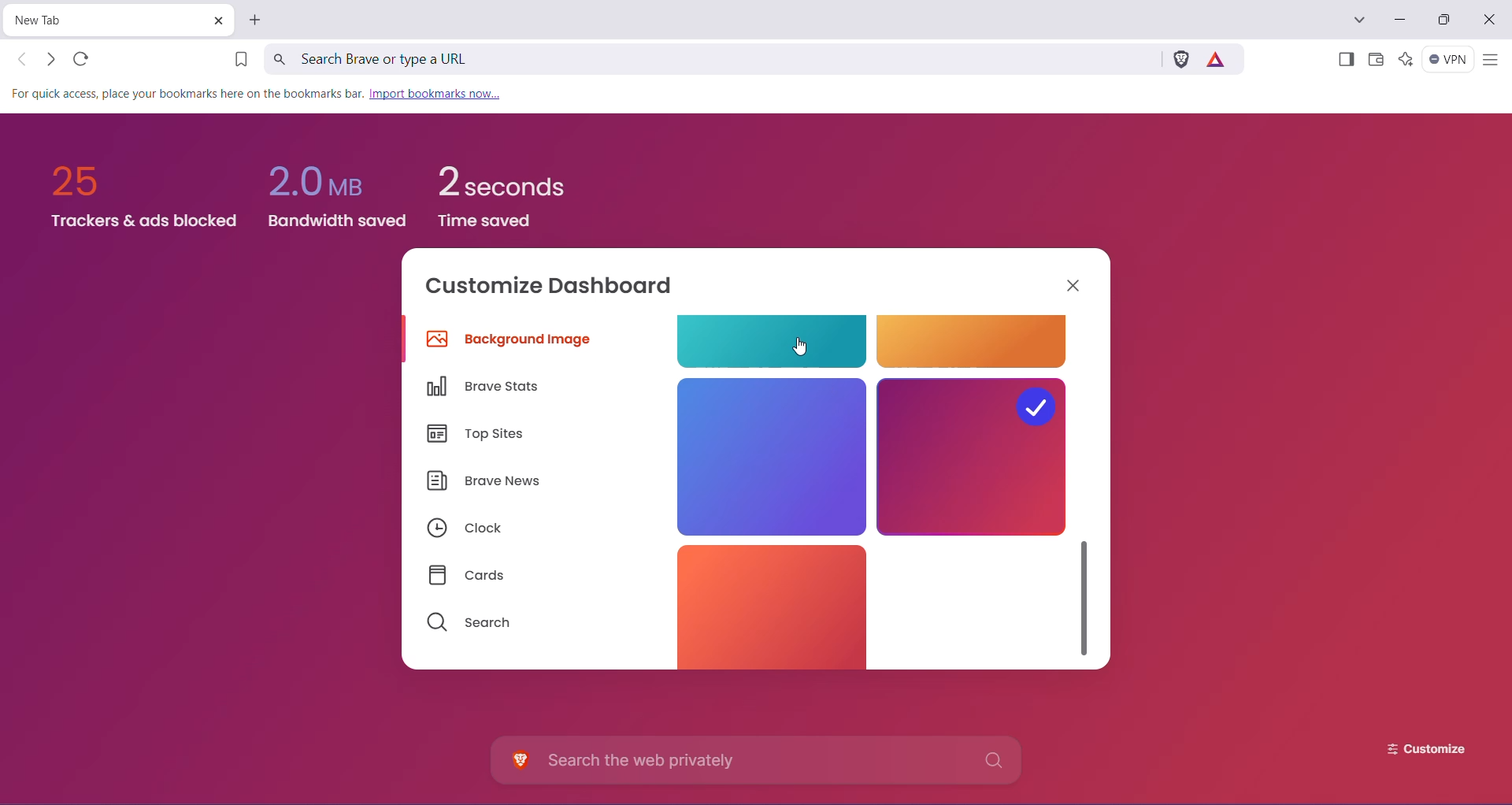 This screenshot has width=1512, height=805. What do you see at coordinates (560, 288) in the screenshot?
I see `Customize Dashboard` at bounding box center [560, 288].